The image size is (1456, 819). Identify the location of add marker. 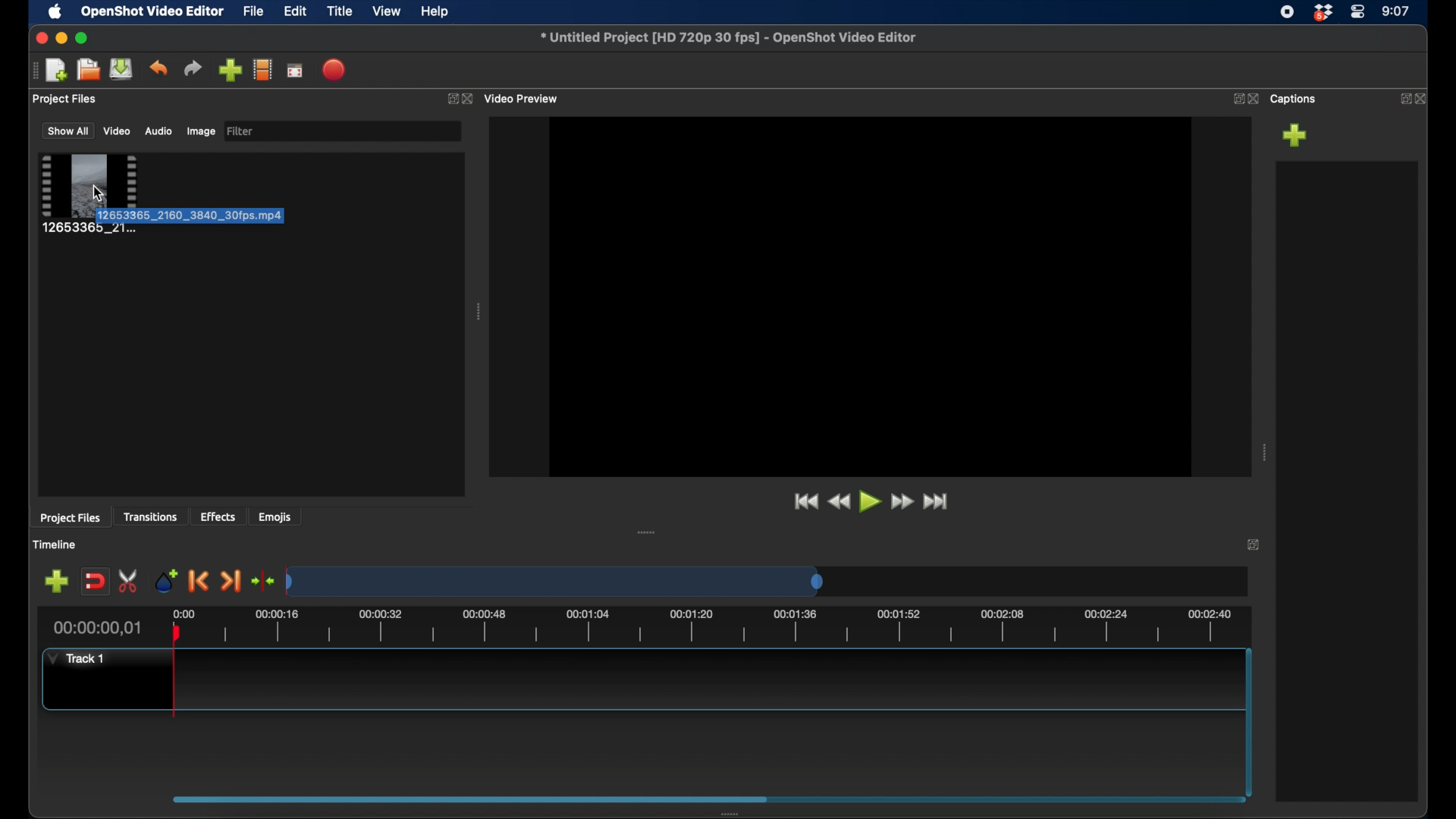
(56, 582).